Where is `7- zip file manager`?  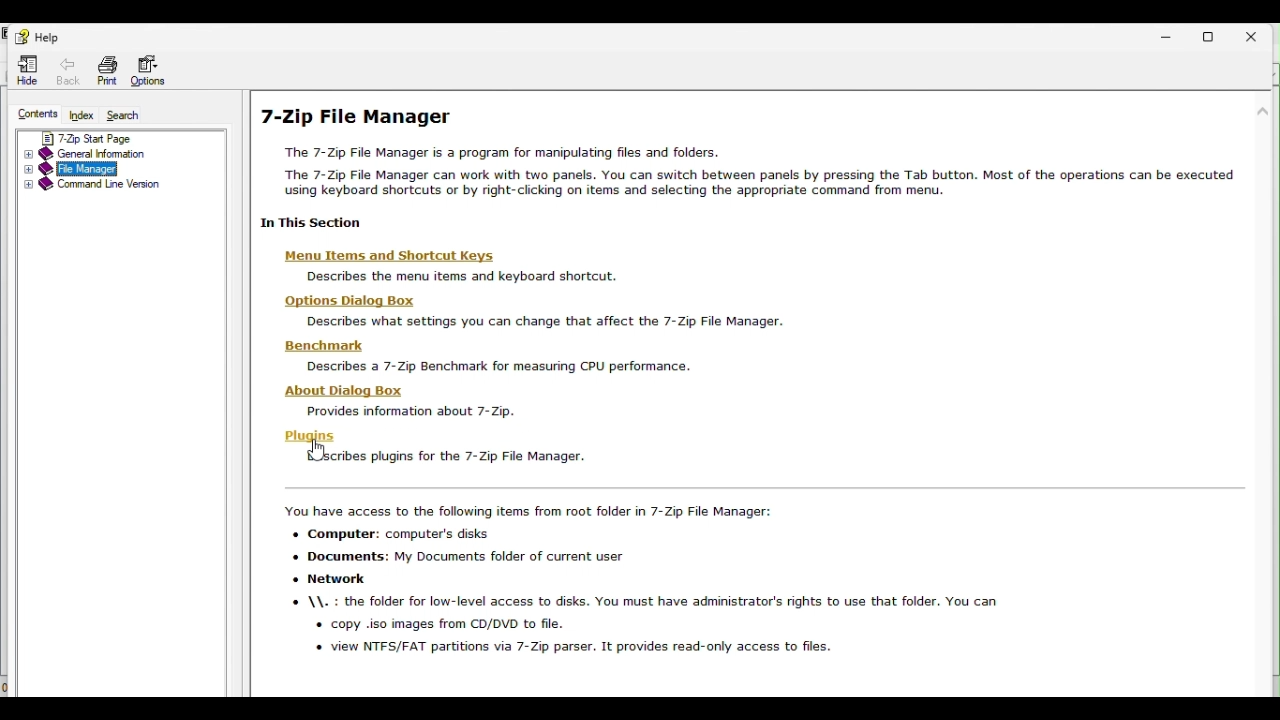
7- zip file manager is located at coordinates (374, 118).